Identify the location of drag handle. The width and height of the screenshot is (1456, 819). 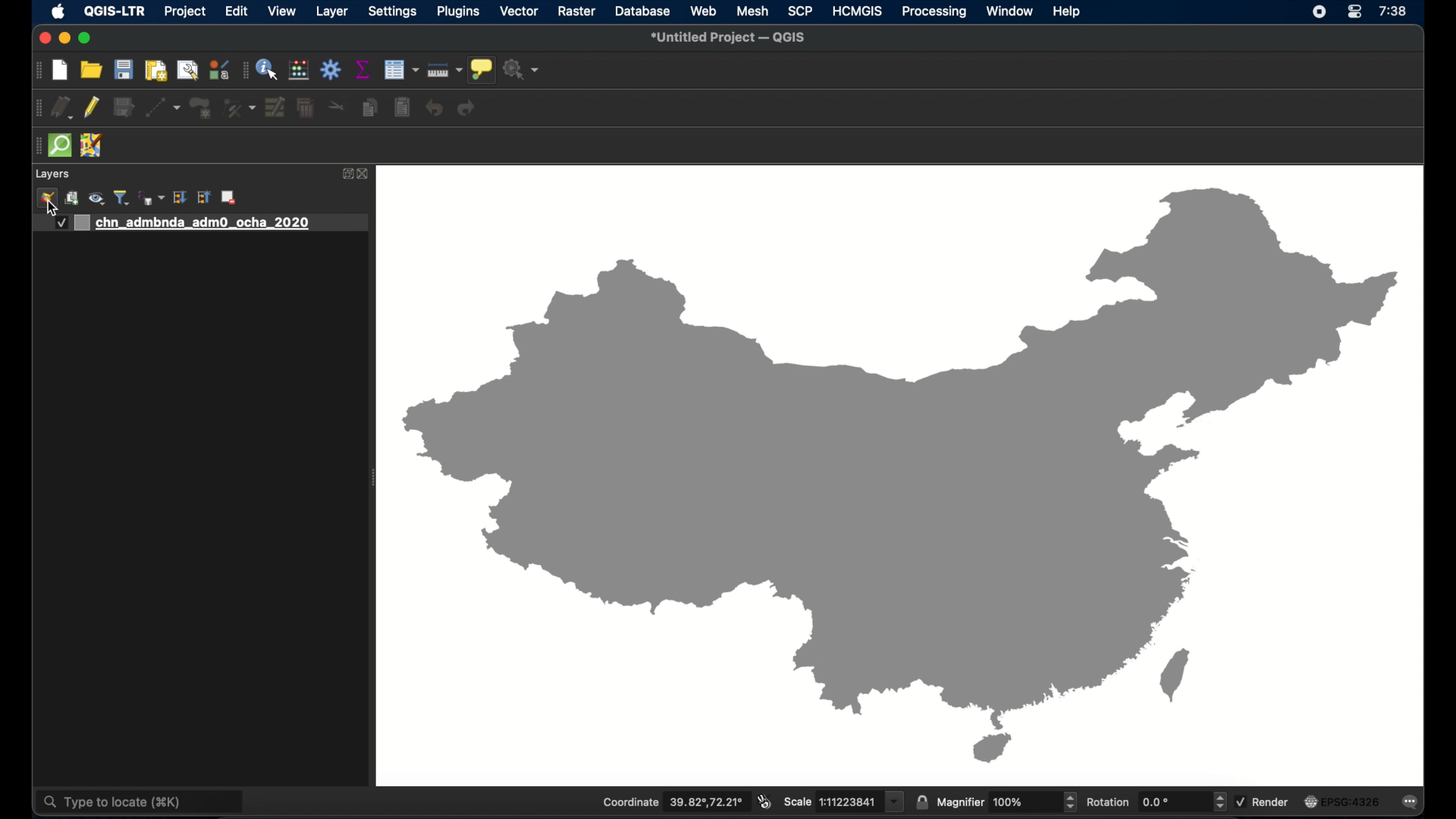
(35, 146).